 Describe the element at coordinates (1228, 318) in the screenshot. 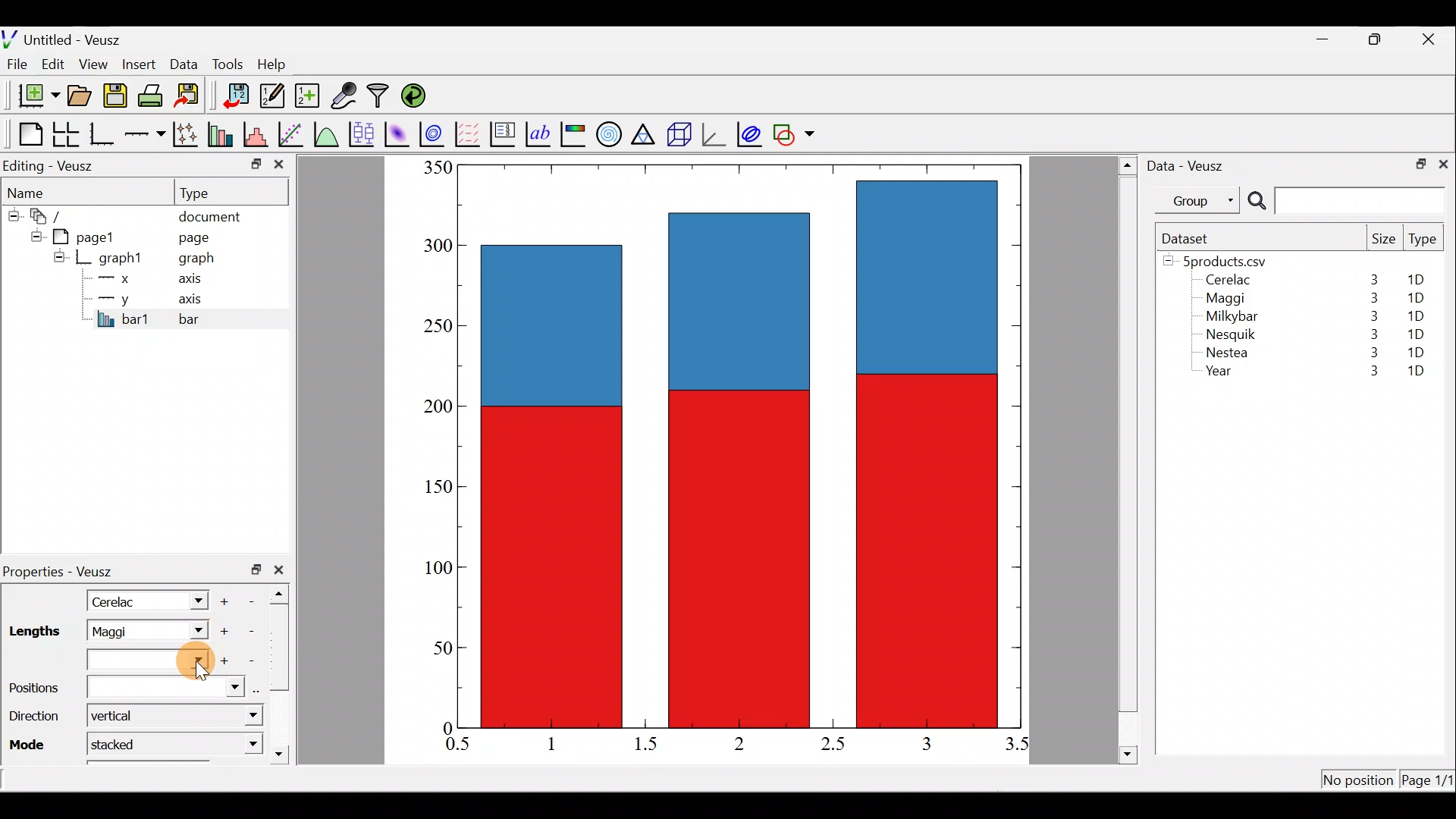

I see `Milkybar` at that location.